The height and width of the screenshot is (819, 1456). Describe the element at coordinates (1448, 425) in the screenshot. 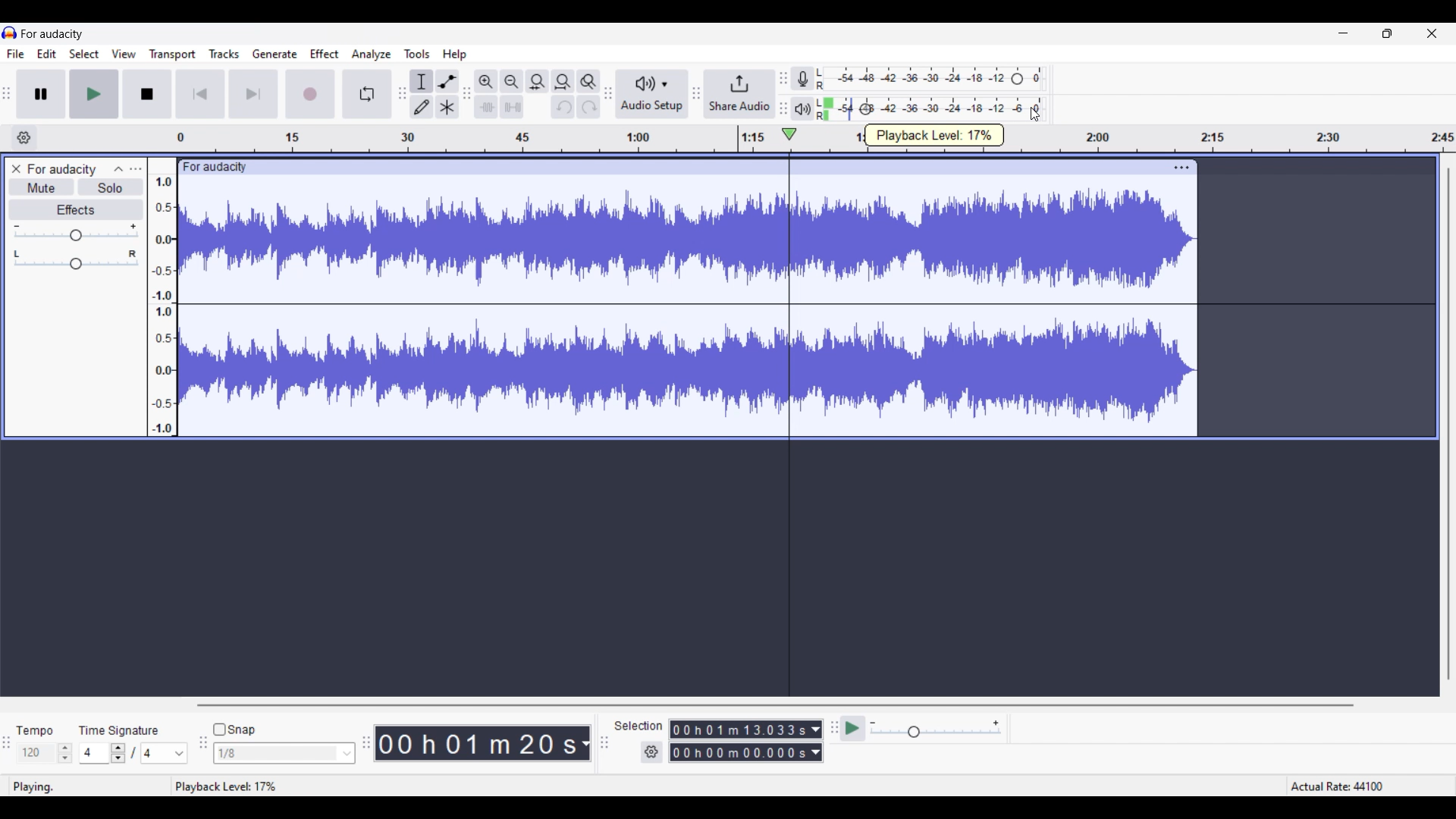

I see `Vertical slide bar` at that location.